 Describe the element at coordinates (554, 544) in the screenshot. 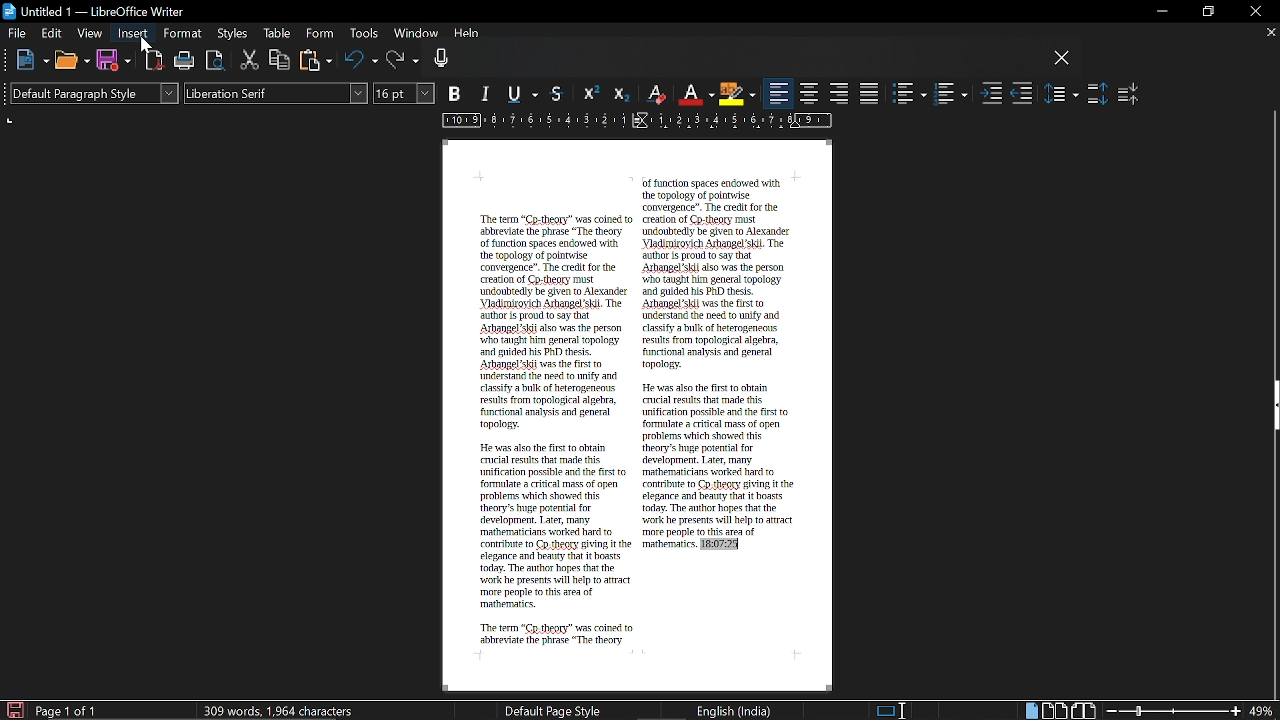

I see `He was also the first to obtain crucial results that made this unification possible and the first to formulate a critical mass of open problems which showed this theory's huge potential for development. I ater, many mathematicians worked hard to contribute to Co theory giving it the elegance and beauty that it boasts today. The author hopes that the work he presents will help to attract more people to this area of mathematics.  The term "Cp theory" was coined to abbreviate the phrase "The theory` at that location.